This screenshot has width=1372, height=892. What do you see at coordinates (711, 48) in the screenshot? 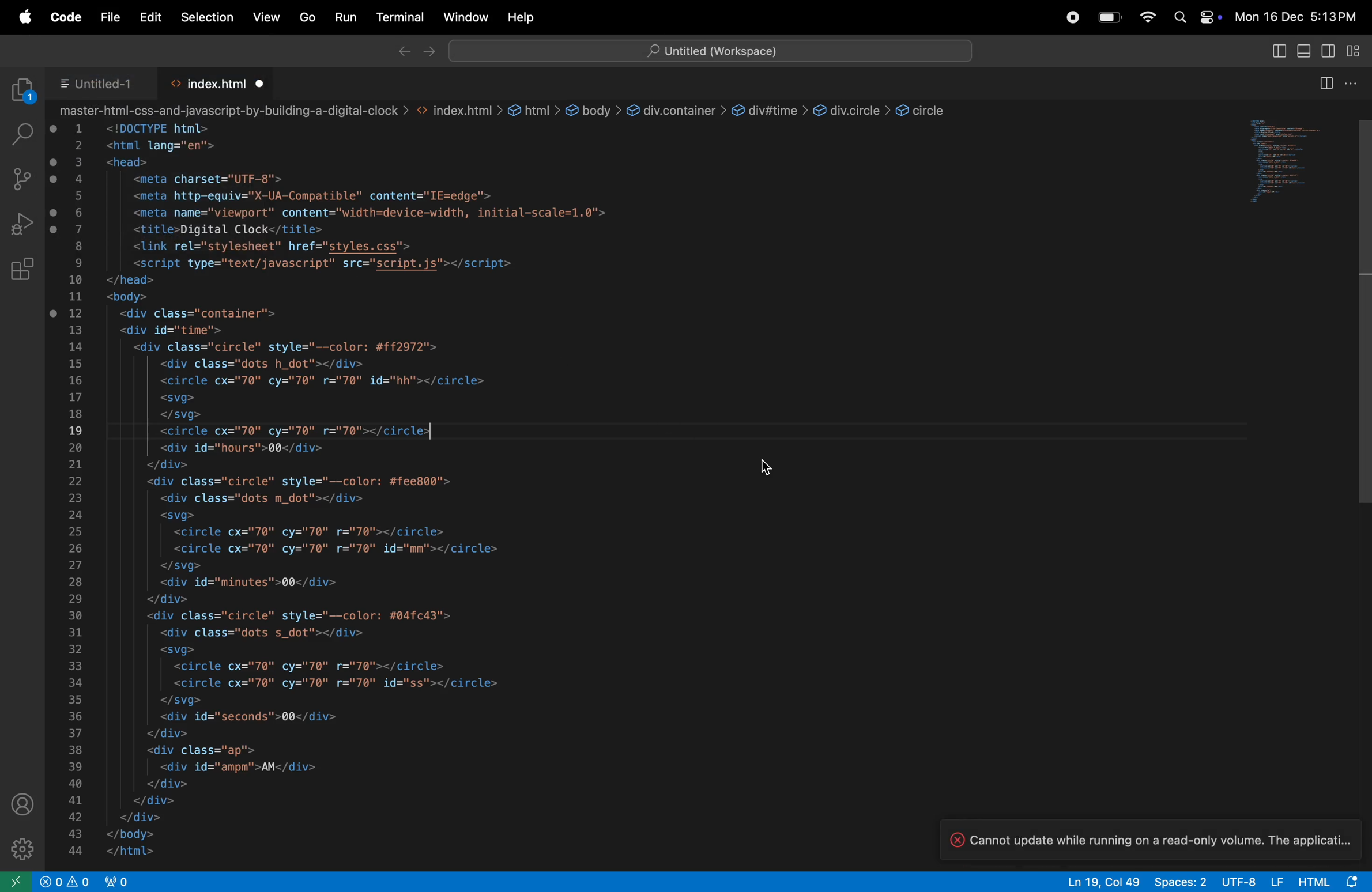
I see `index title- untitled workspace` at bounding box center [711, 48].